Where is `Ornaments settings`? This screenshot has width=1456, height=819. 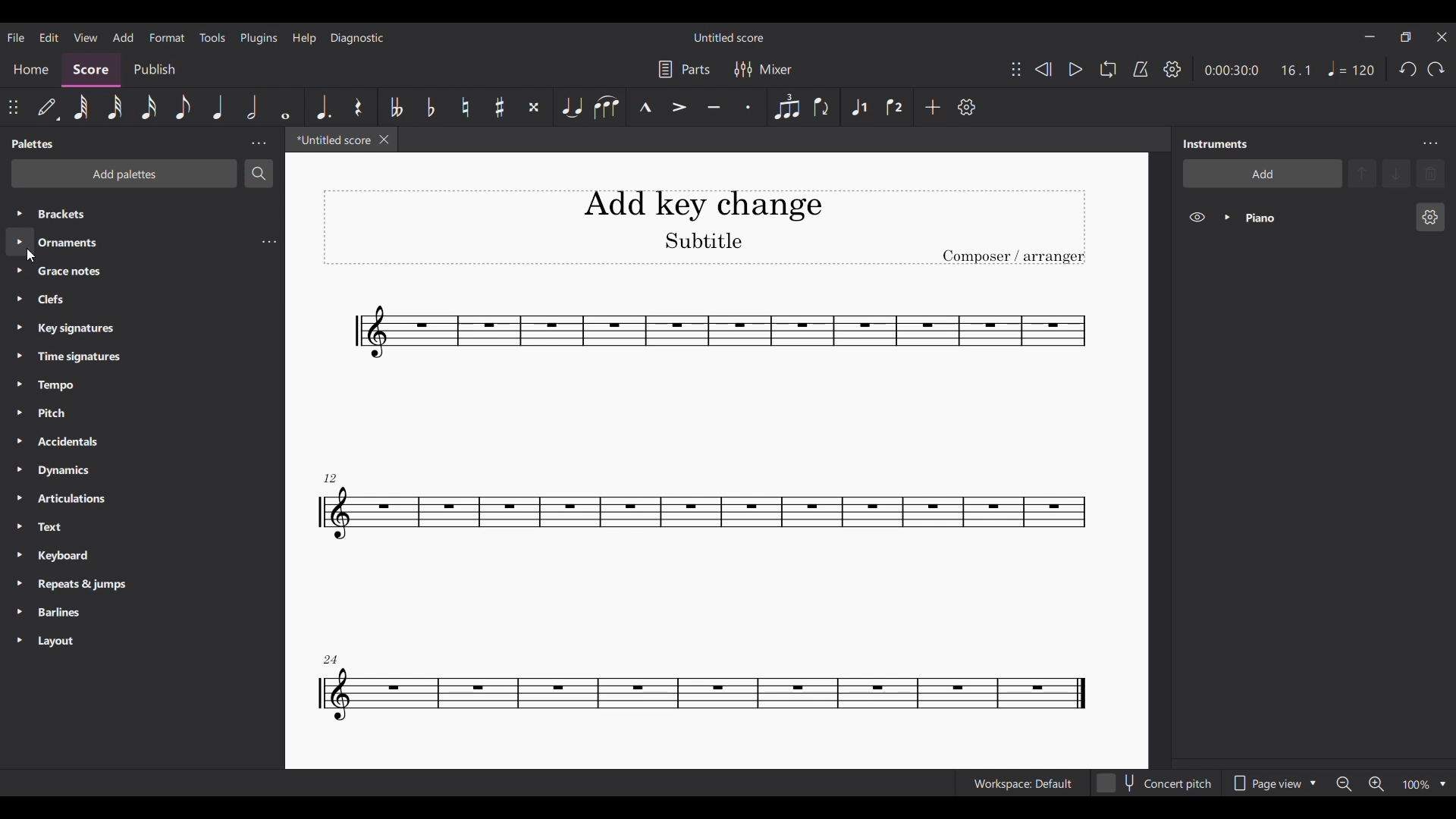 Ornaments settings is located at coordinates (268, 243).